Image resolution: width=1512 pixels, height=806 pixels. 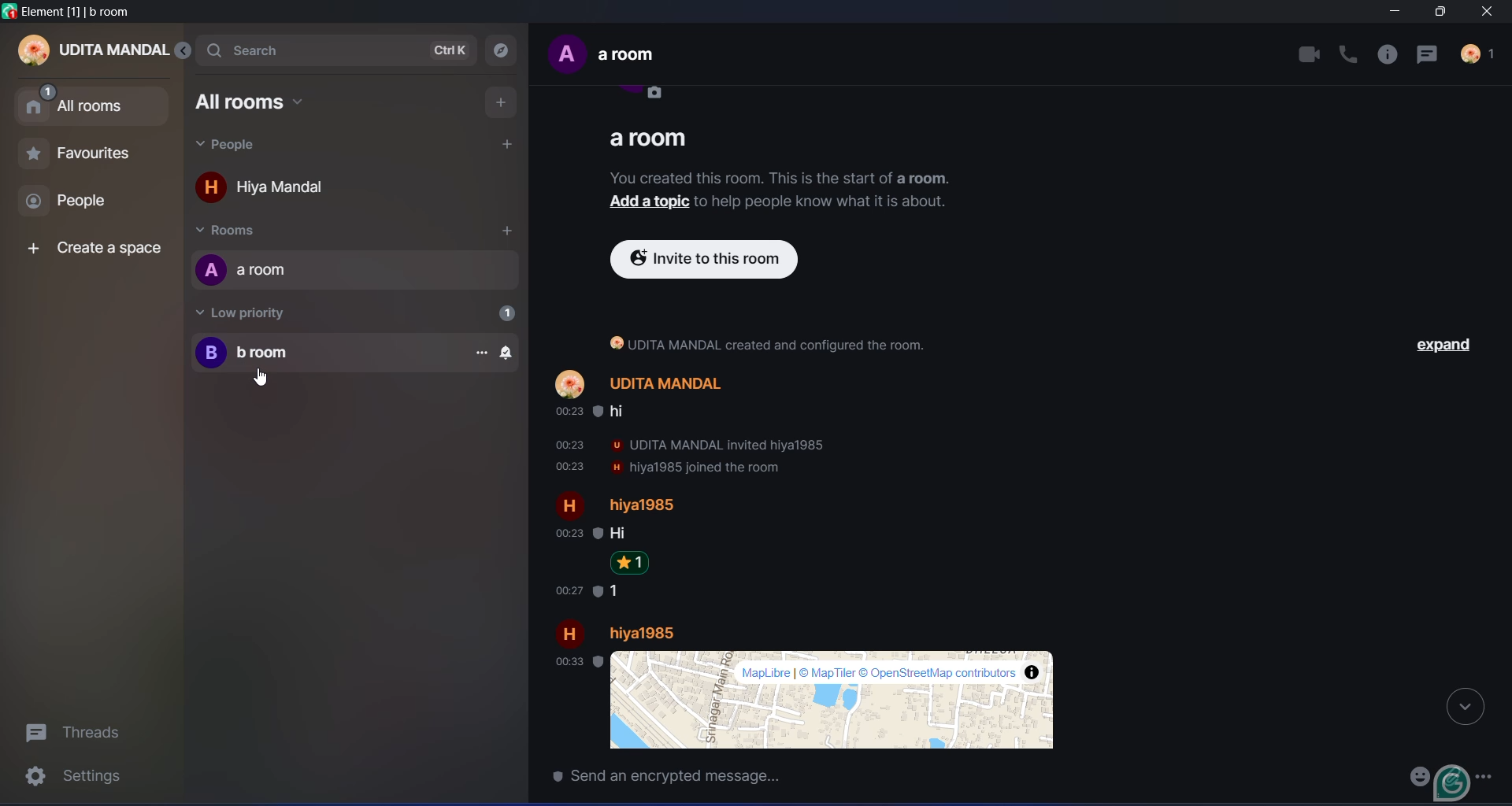 I want to click on ‘Add a topic, so click(x=644, y=201).